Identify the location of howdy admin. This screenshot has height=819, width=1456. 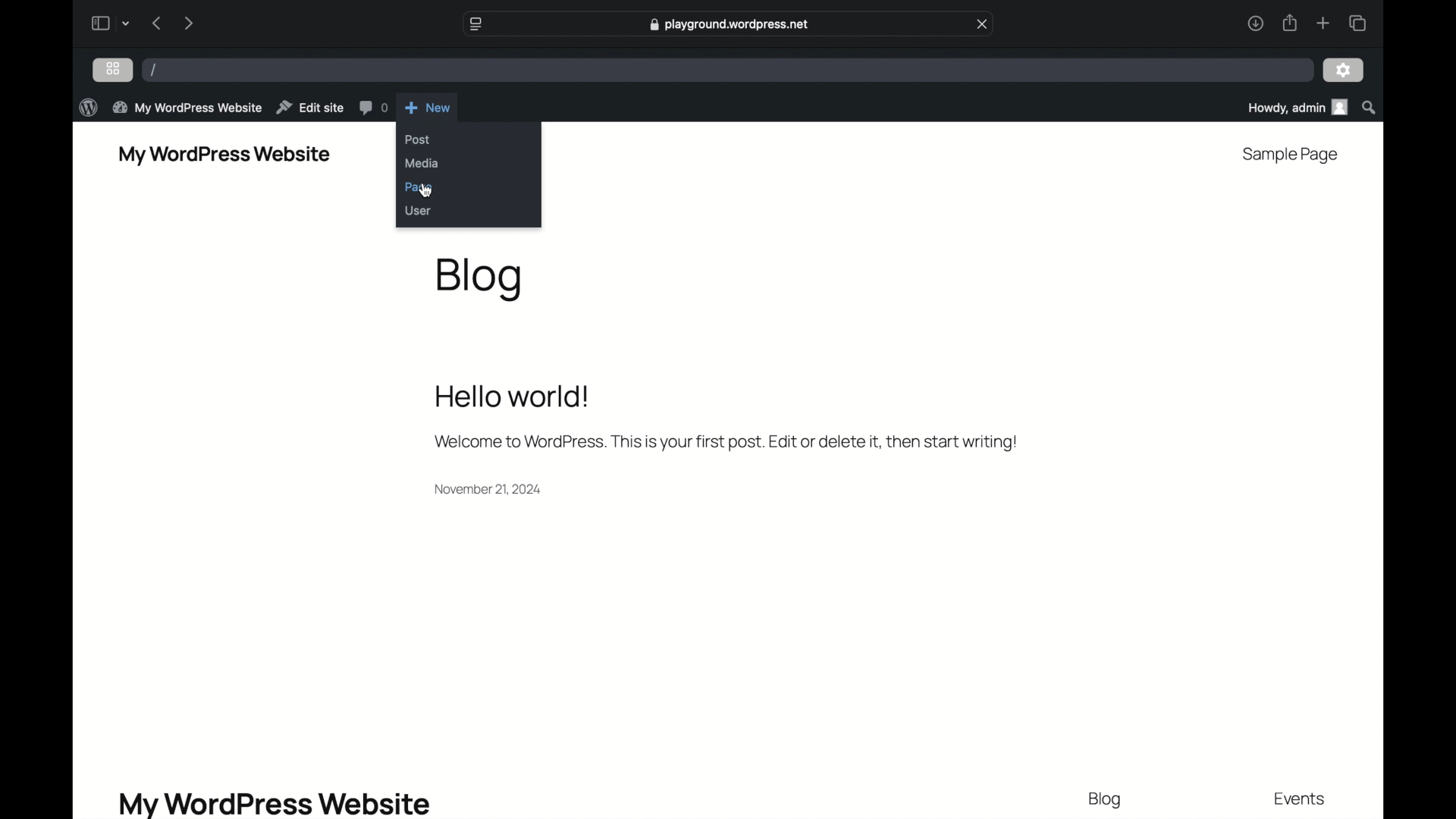
(1296, 107).